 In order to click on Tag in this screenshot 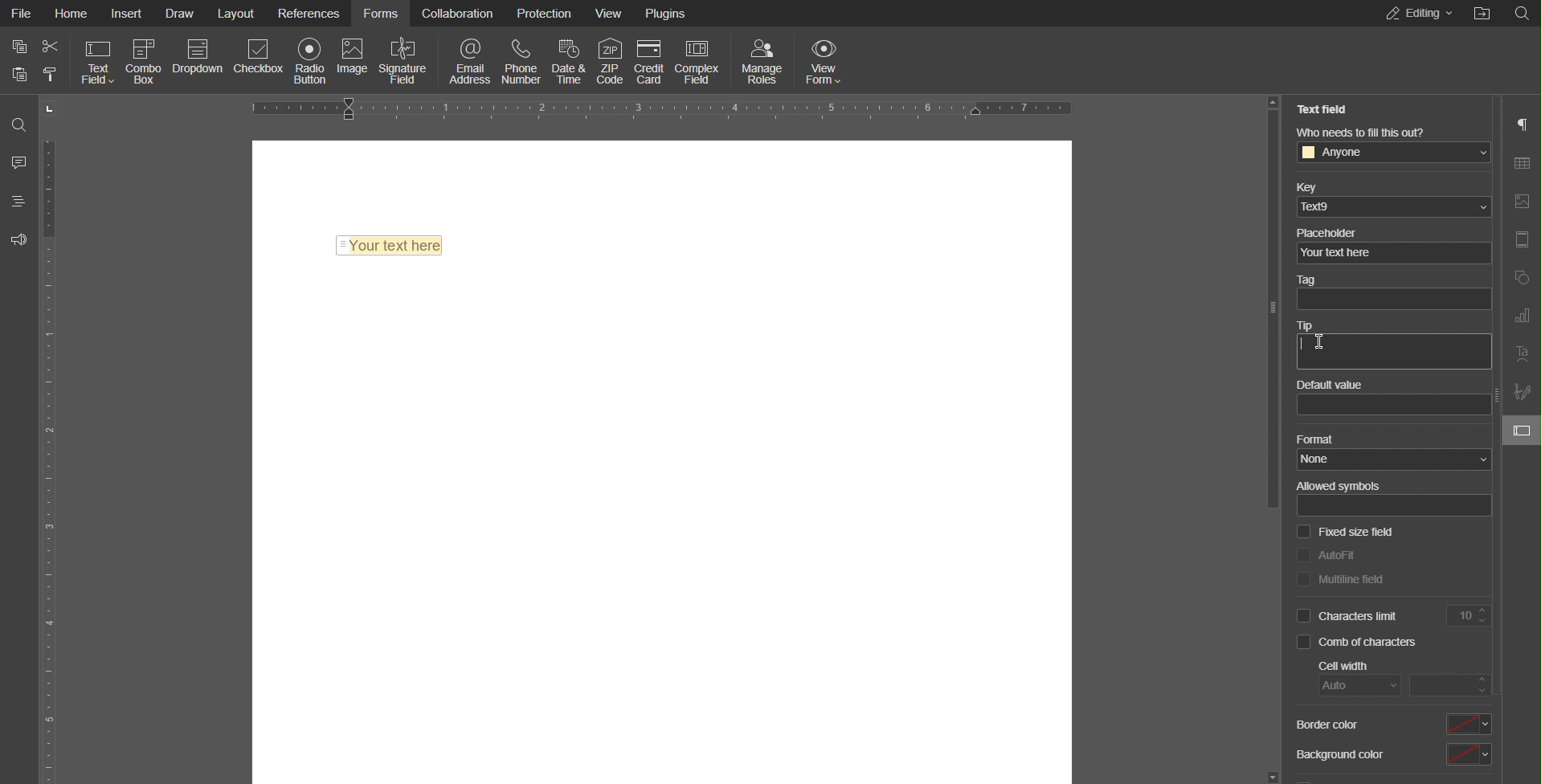, I will do `click(1320, 280)`.